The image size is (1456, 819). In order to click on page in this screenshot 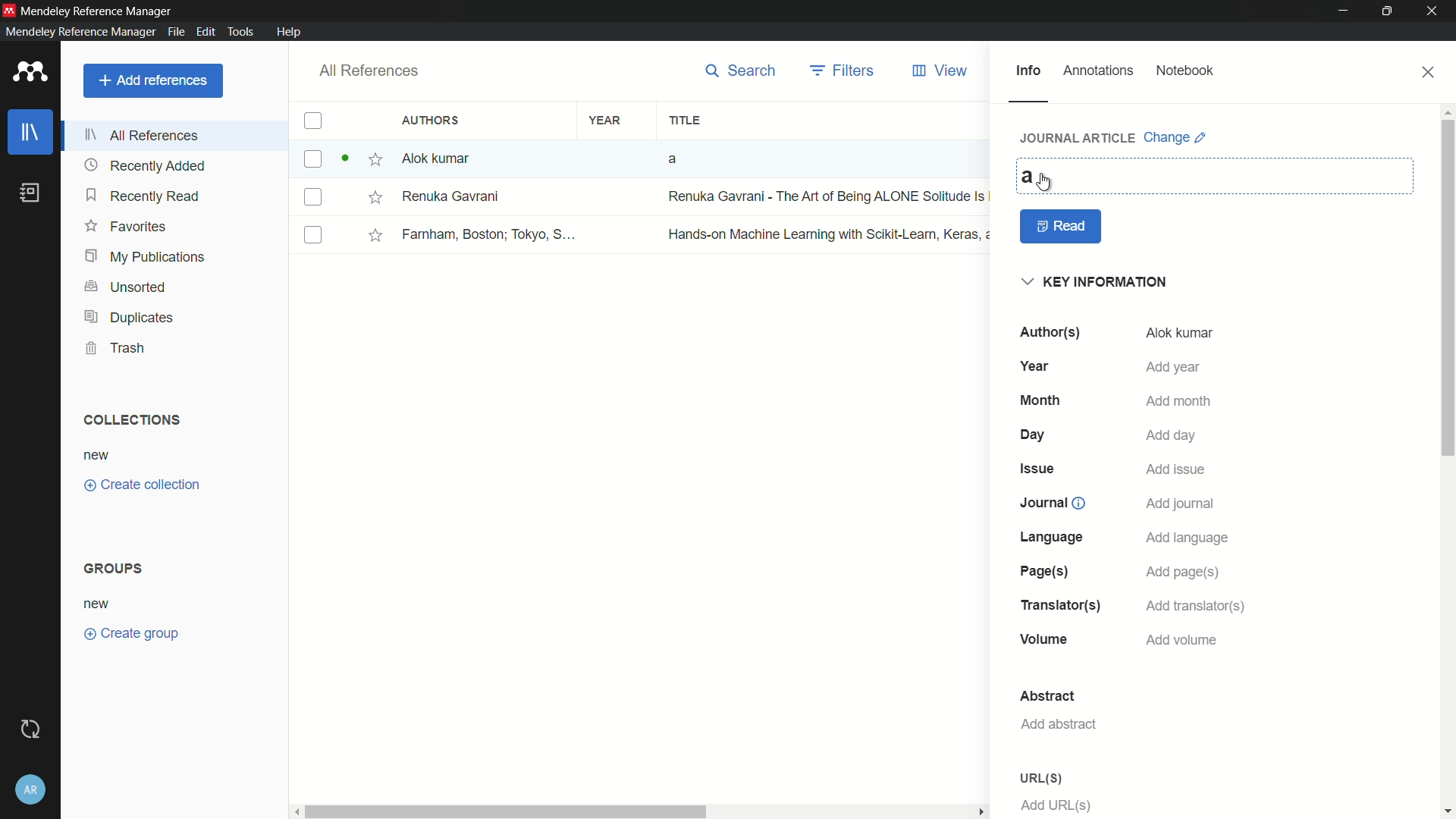, I will do `click(1041, 572)`.